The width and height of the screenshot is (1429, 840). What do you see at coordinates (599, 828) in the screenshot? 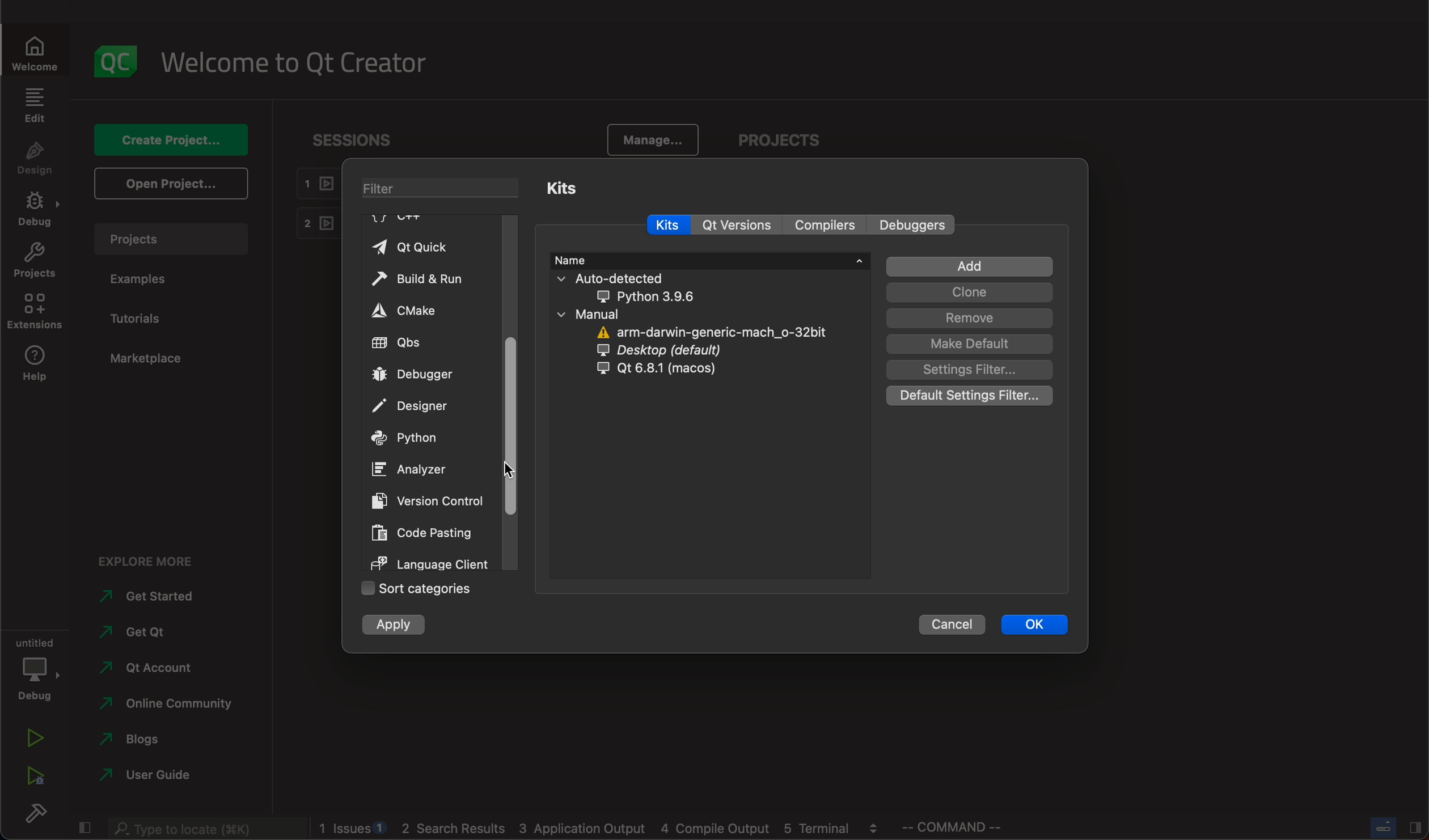
I see `logs` at bounding box center [599, 828].